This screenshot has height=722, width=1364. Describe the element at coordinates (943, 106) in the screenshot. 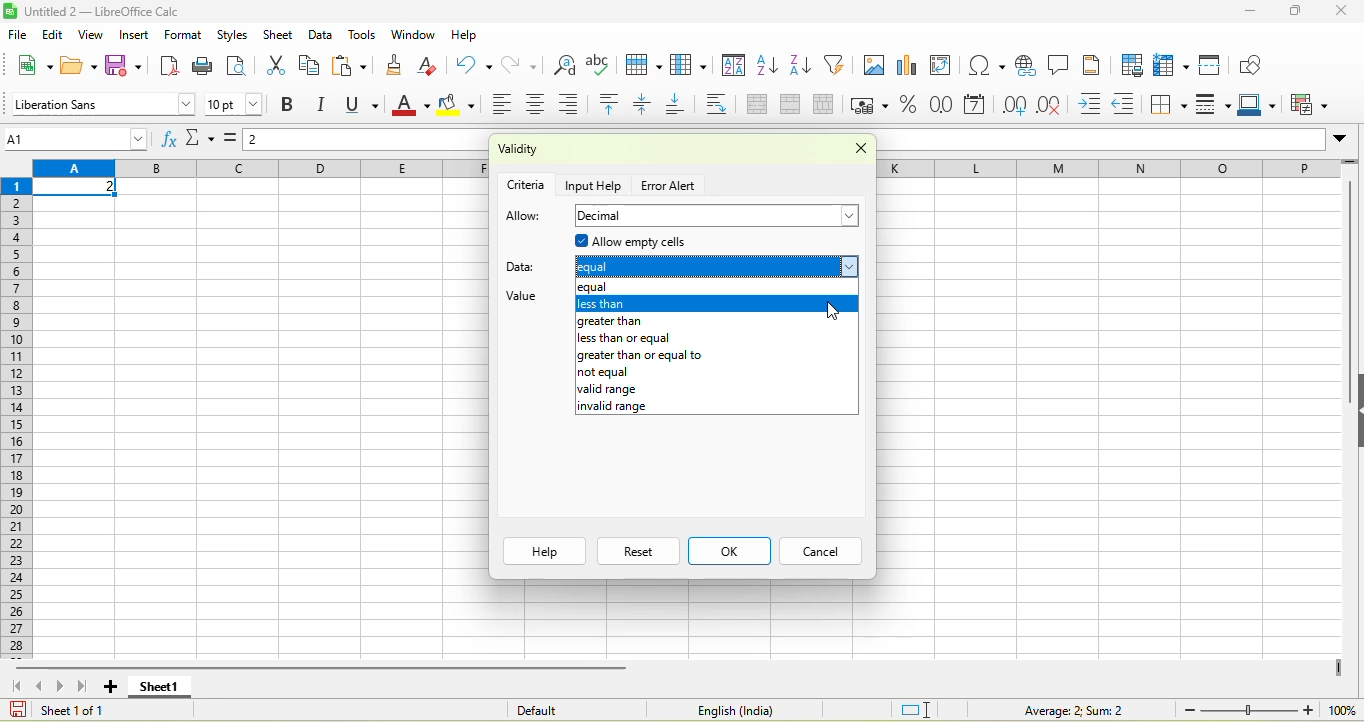

I see `format as number` at that location.